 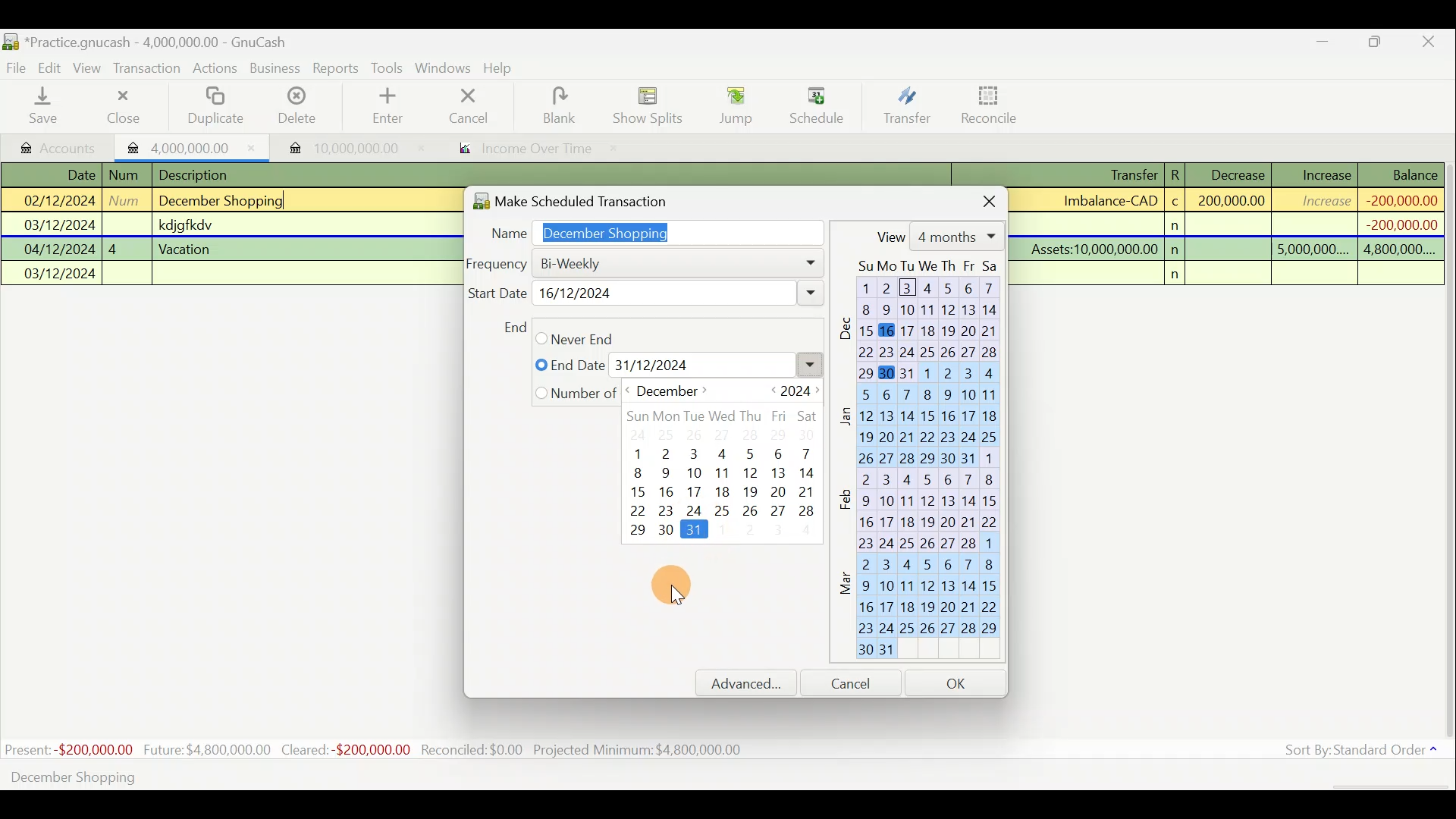 What do you see at coordinates (731, 105) in the screenshot?
I see `Jump` at bounding box center [731, 105].